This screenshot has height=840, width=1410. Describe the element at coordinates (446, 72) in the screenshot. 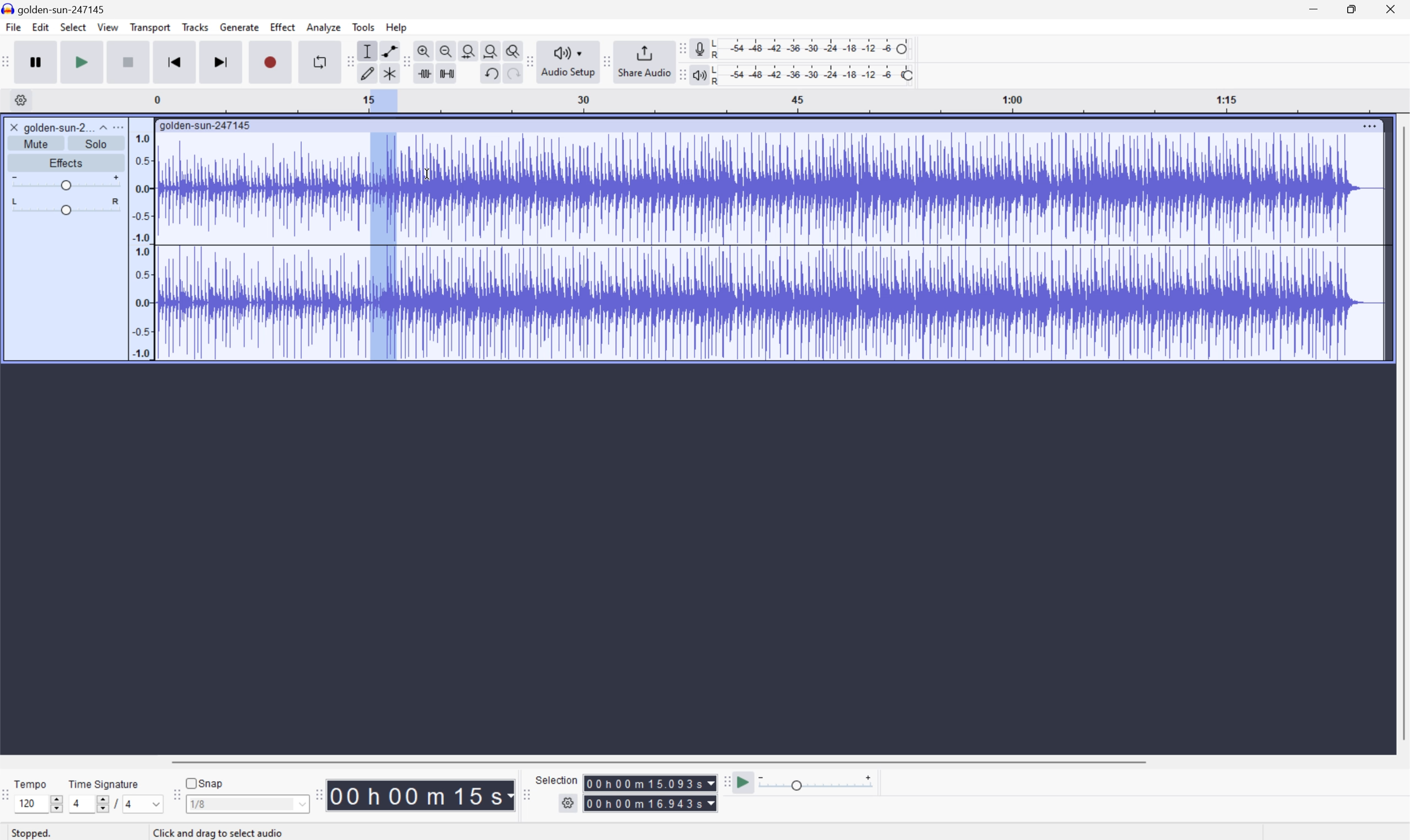

I see `Silence audio selection` at that location.